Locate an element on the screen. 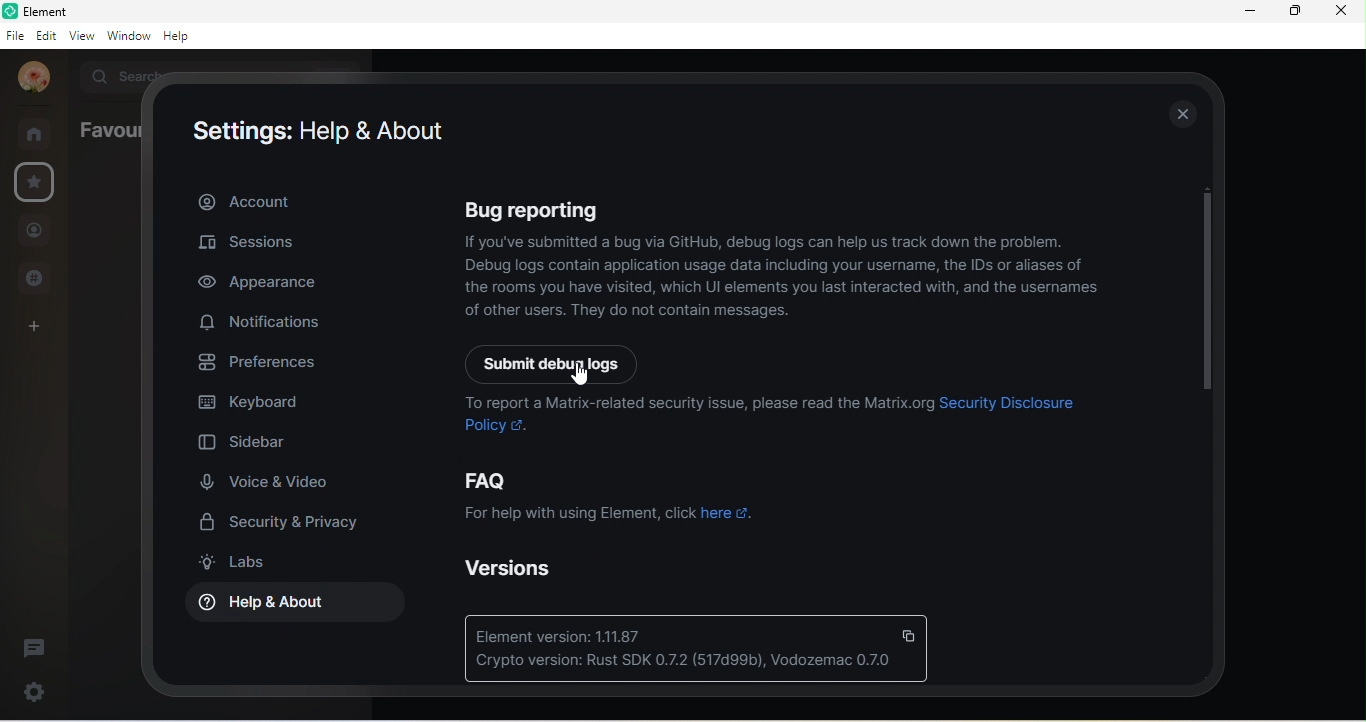 This screenshot has width=1366, height=722. session is located at coordinates (249, 243).